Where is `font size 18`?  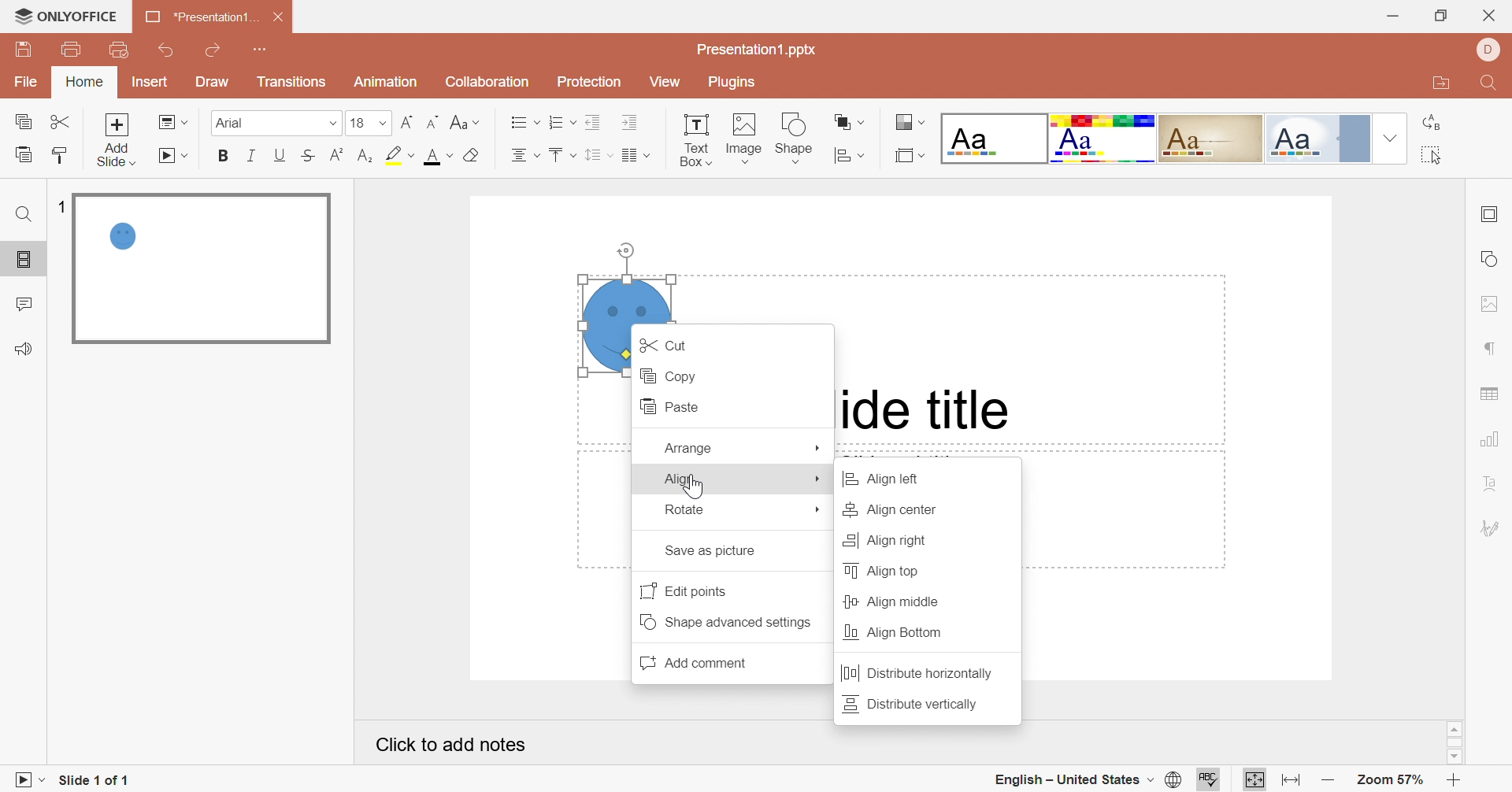 font size 18 is located at coordinates (358, 125).